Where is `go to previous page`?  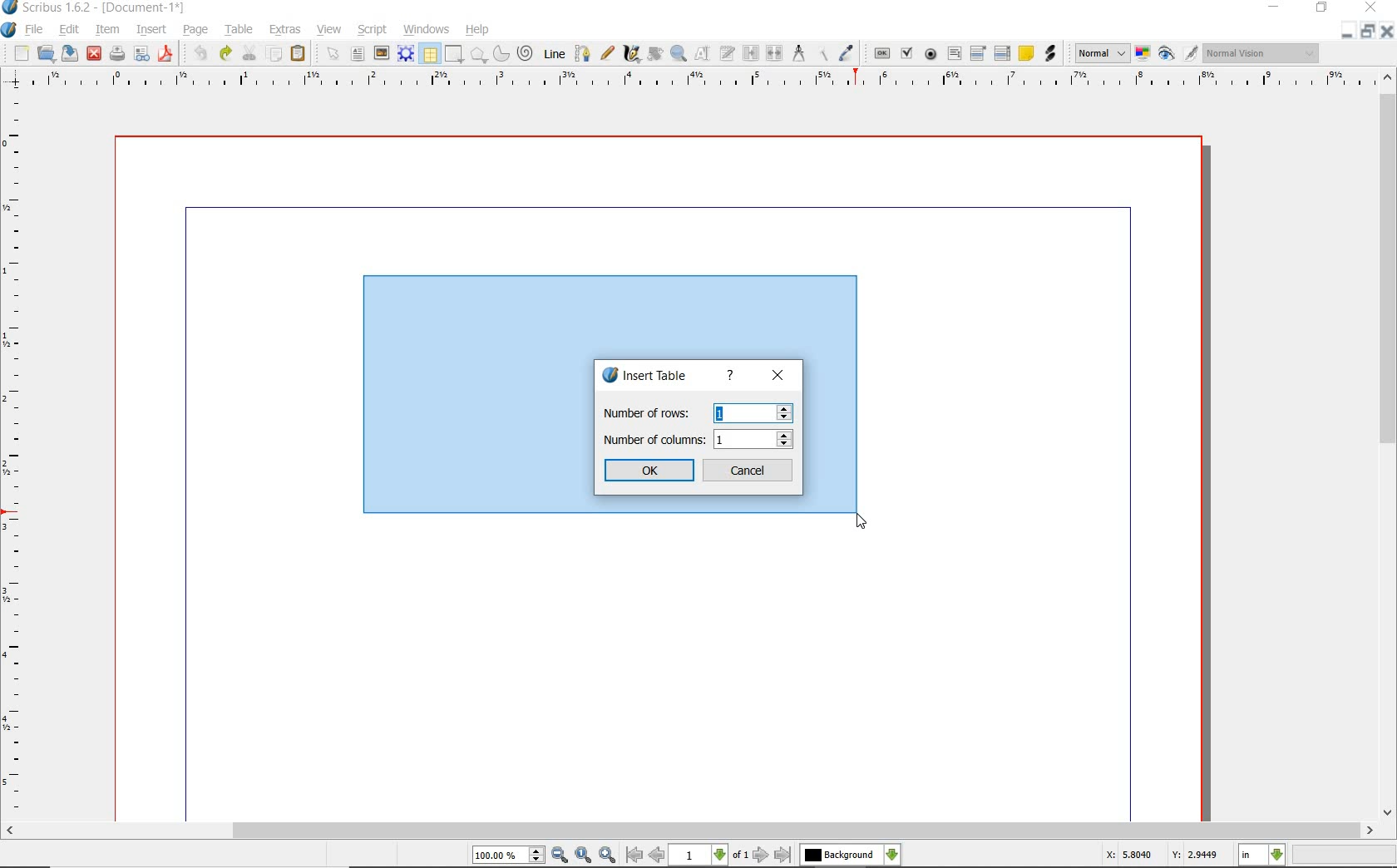
go to previous page is located at coordinates (656, 856).